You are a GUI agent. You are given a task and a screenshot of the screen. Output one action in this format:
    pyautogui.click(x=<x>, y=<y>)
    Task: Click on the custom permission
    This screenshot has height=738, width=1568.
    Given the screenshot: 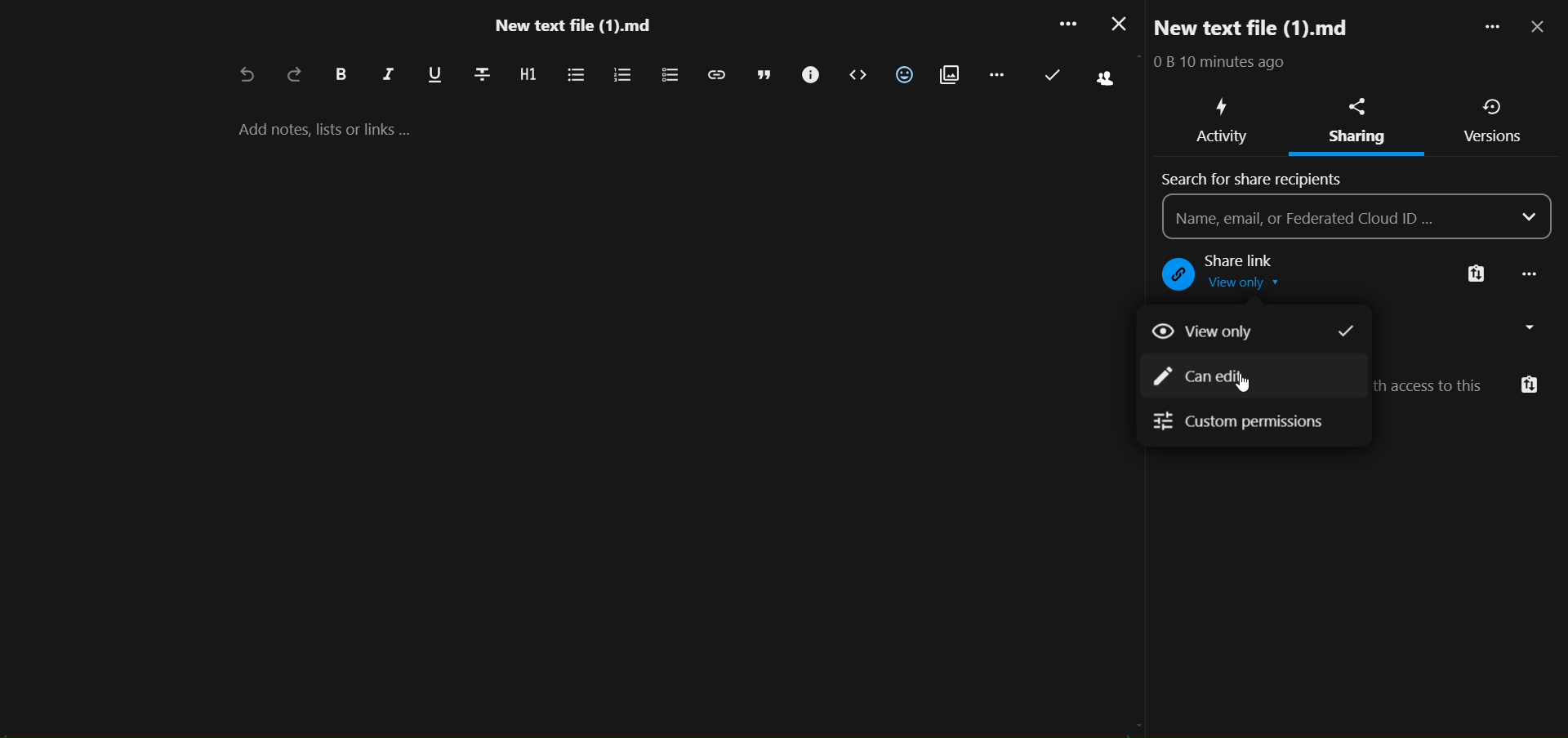 What is the action you would take?
    pyautogui.click(x=1241, y=426)
    